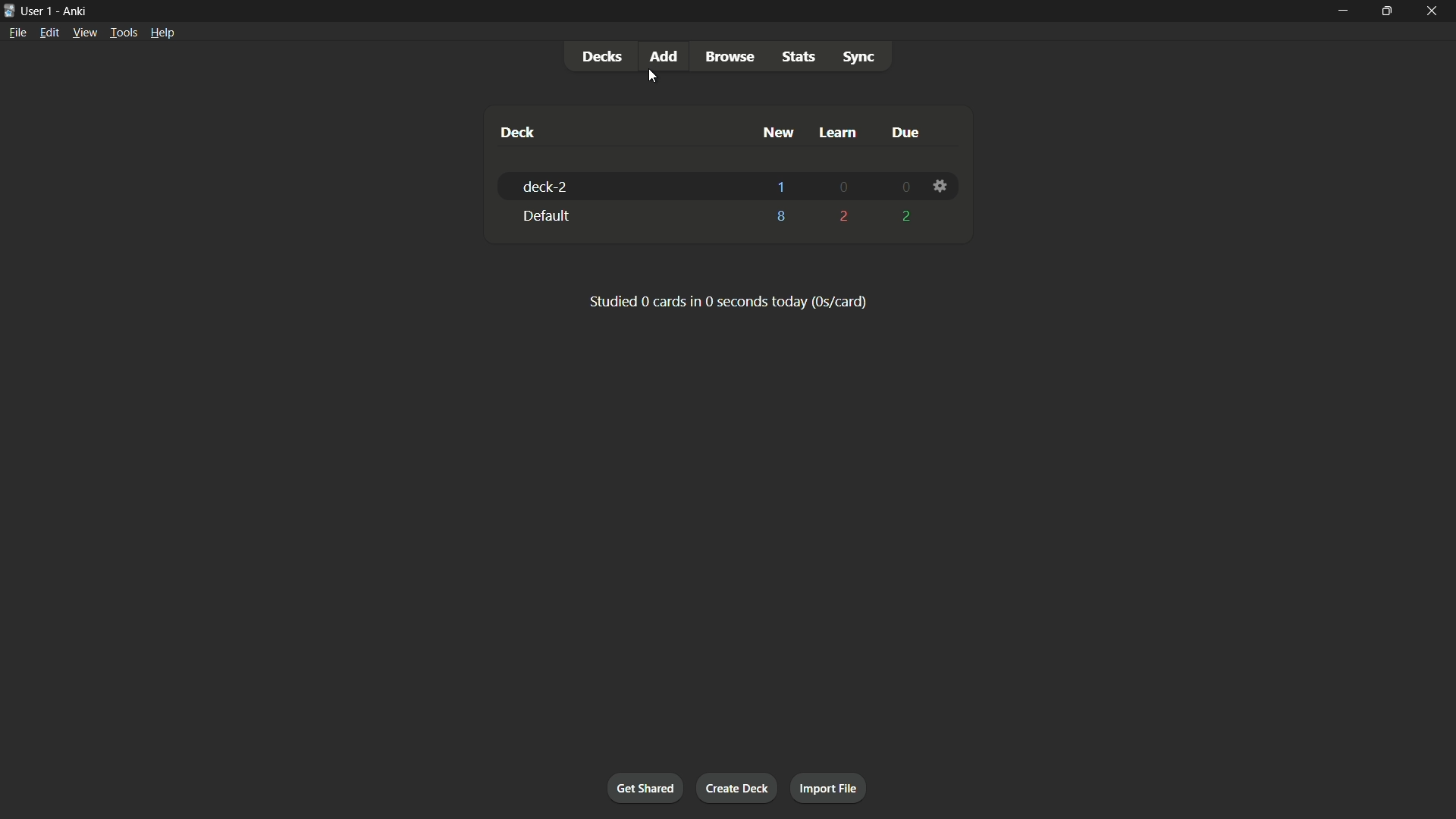 This screenshot has width=1456, height=819. What do you see at coordinates (840, 133) in the screenshot?
I see `learn` at bounding box center [840, 133].